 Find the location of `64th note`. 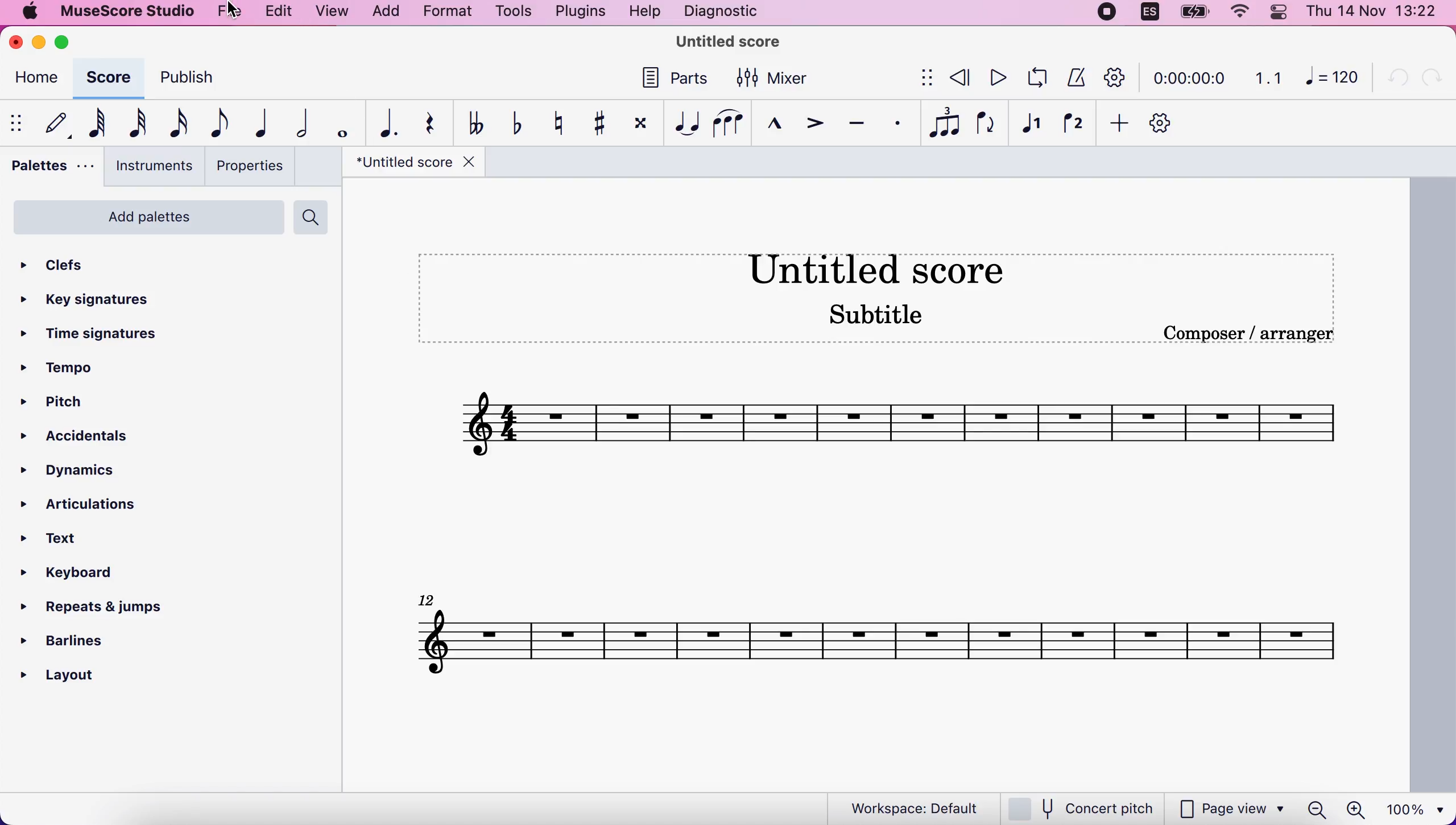

64th note is located at coordinates (94, 125).